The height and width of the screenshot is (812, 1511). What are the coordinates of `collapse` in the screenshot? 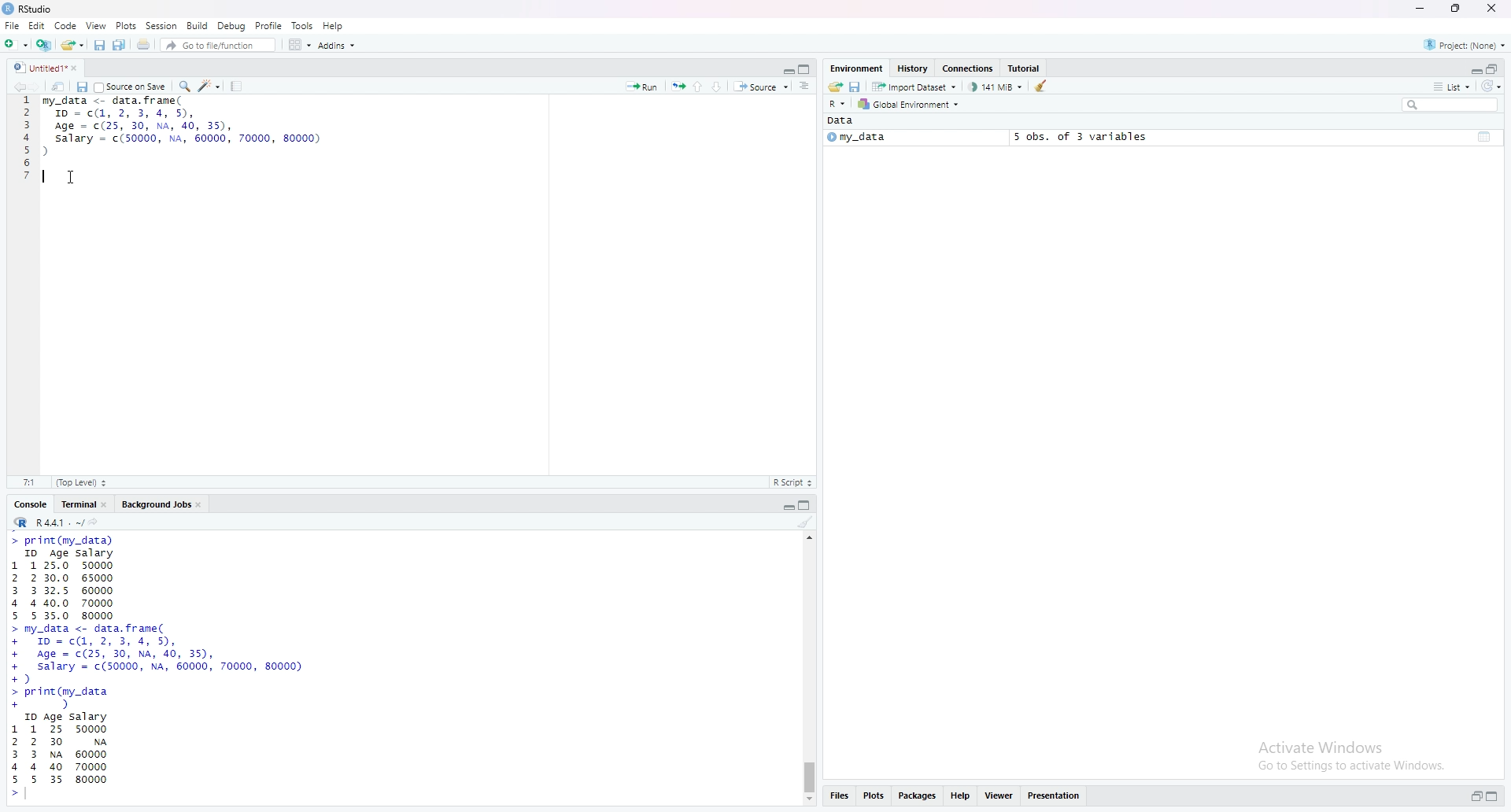 It's located at (808, 506).